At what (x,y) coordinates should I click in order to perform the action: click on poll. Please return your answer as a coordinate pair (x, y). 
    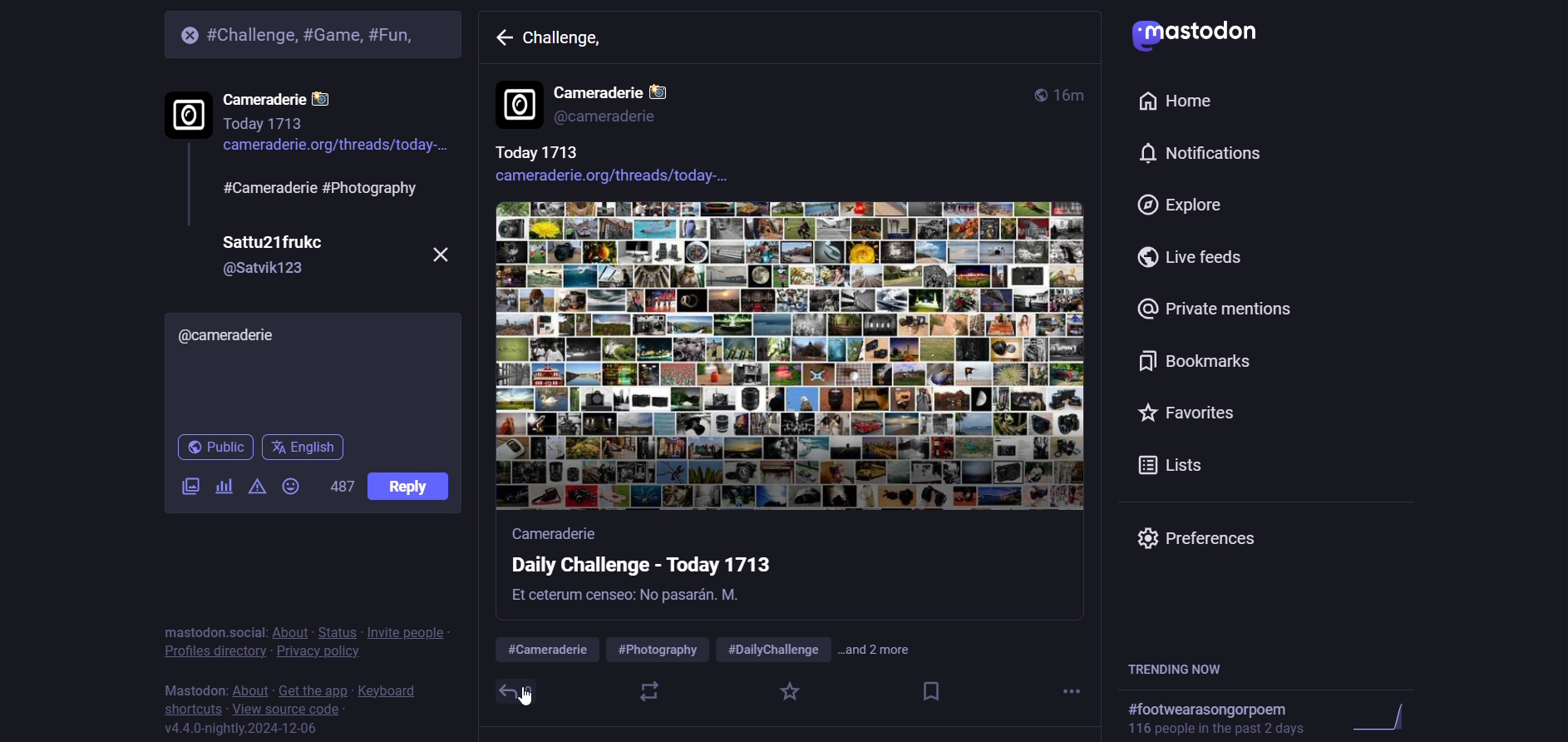
    Looking at the image, I should click on (220, 484).